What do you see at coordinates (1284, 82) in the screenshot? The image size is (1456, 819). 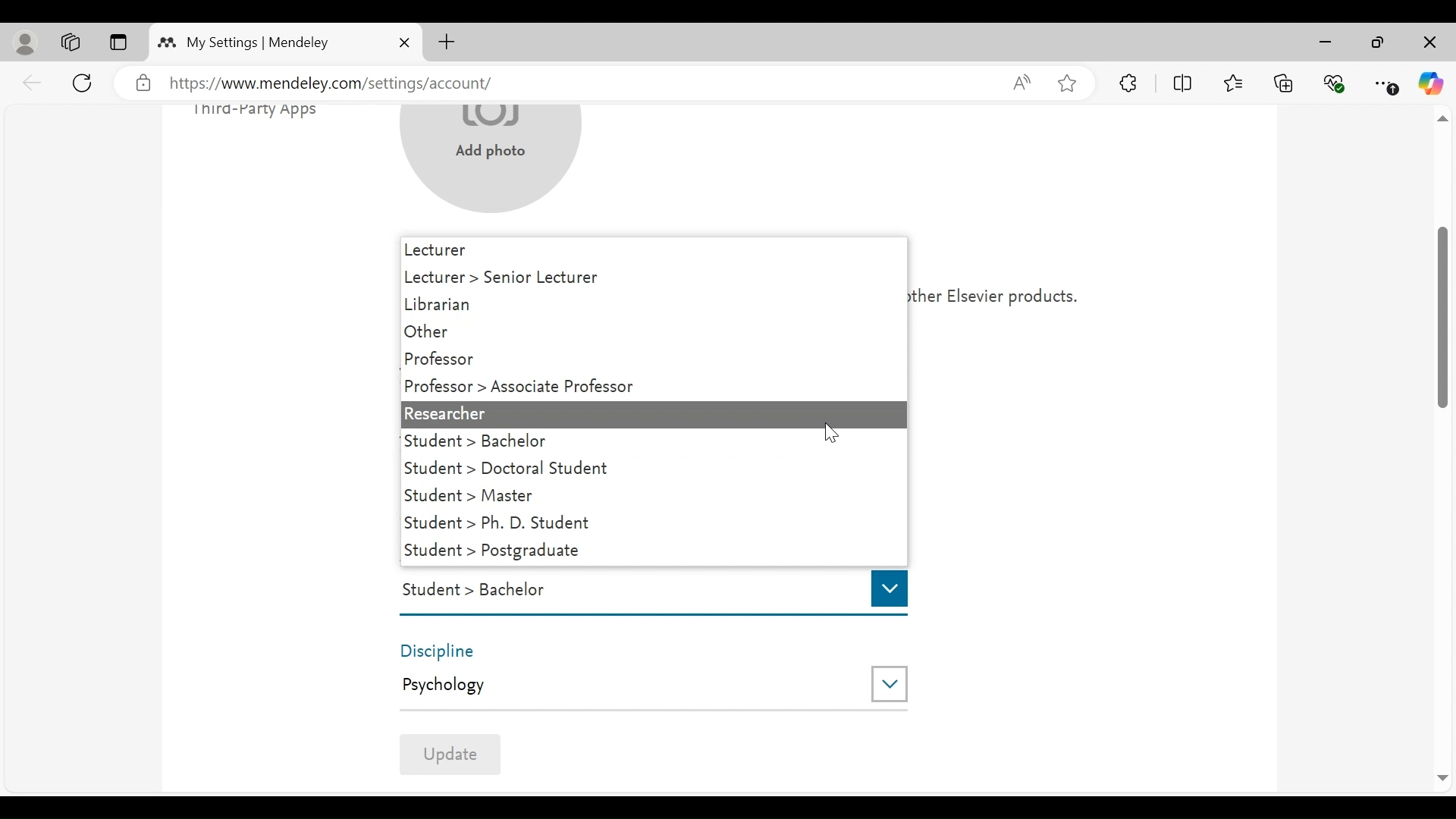 I see `Collections` at bounding box center [1284, 82].